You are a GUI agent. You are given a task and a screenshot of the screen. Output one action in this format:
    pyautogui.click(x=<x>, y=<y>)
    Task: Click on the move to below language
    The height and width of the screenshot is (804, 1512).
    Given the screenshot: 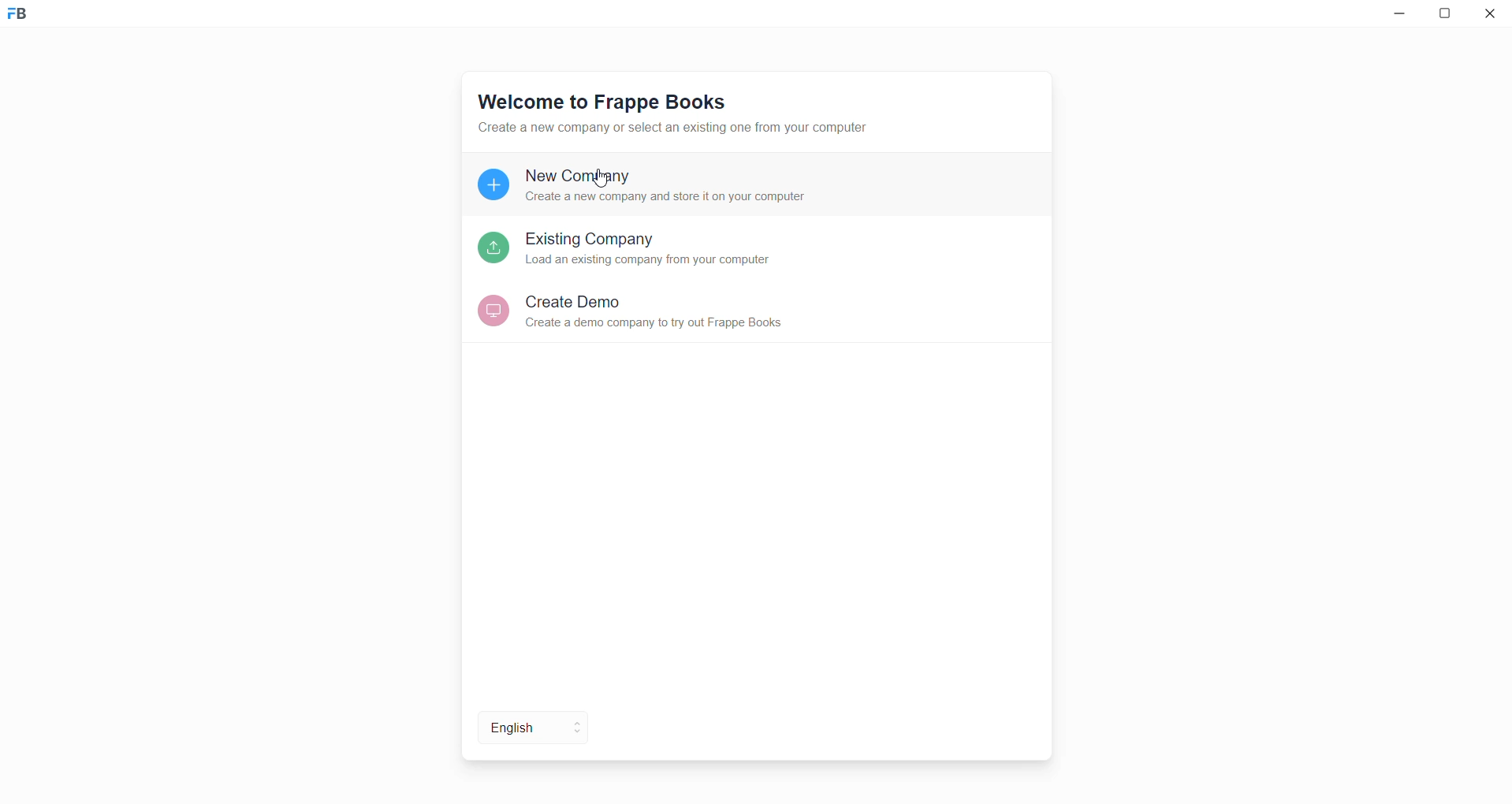 What is the action you would take?
    pyautogui.click(x=578, y=737)
    